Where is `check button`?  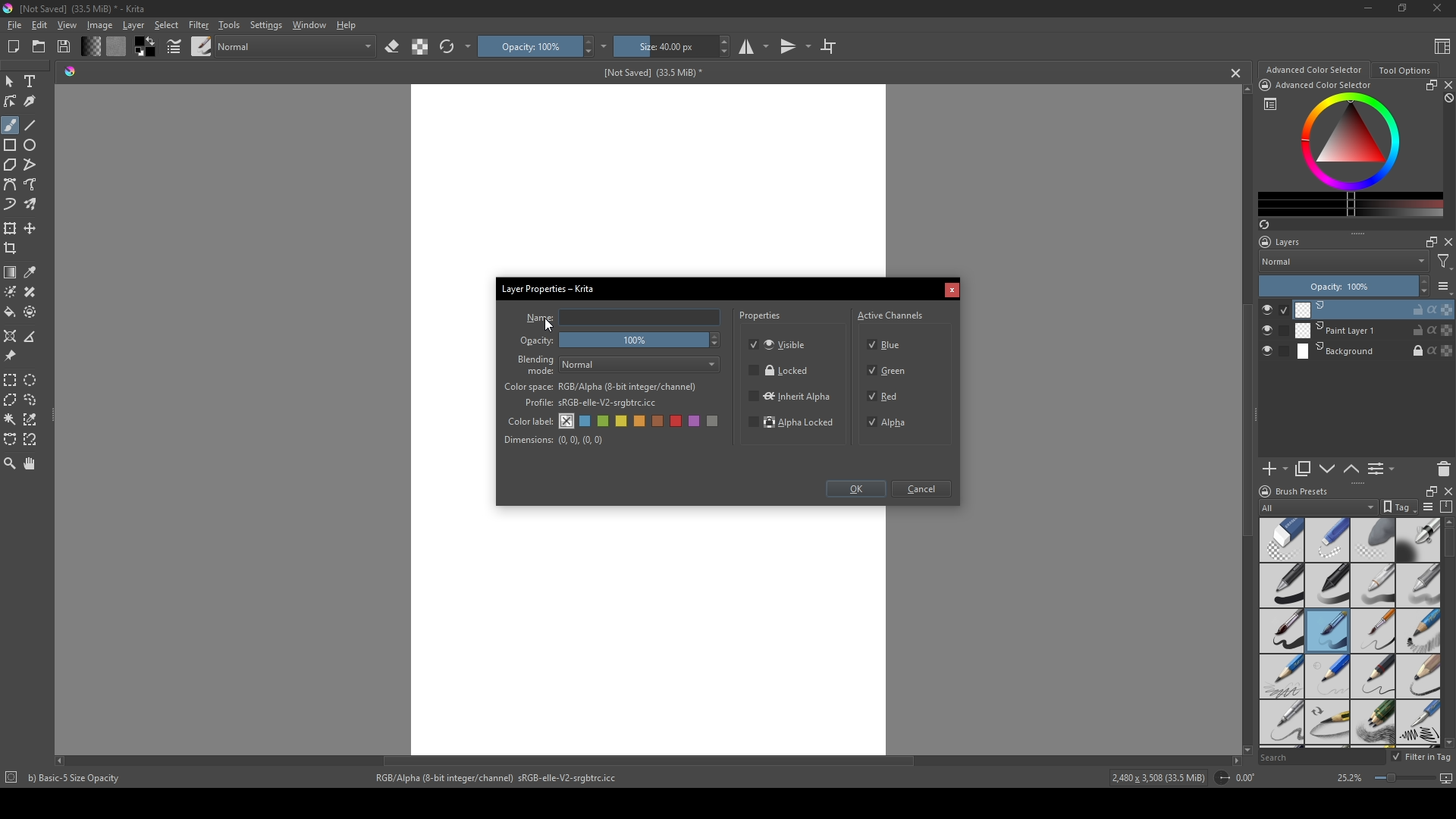 check button is located at coordinates (1275, 331).